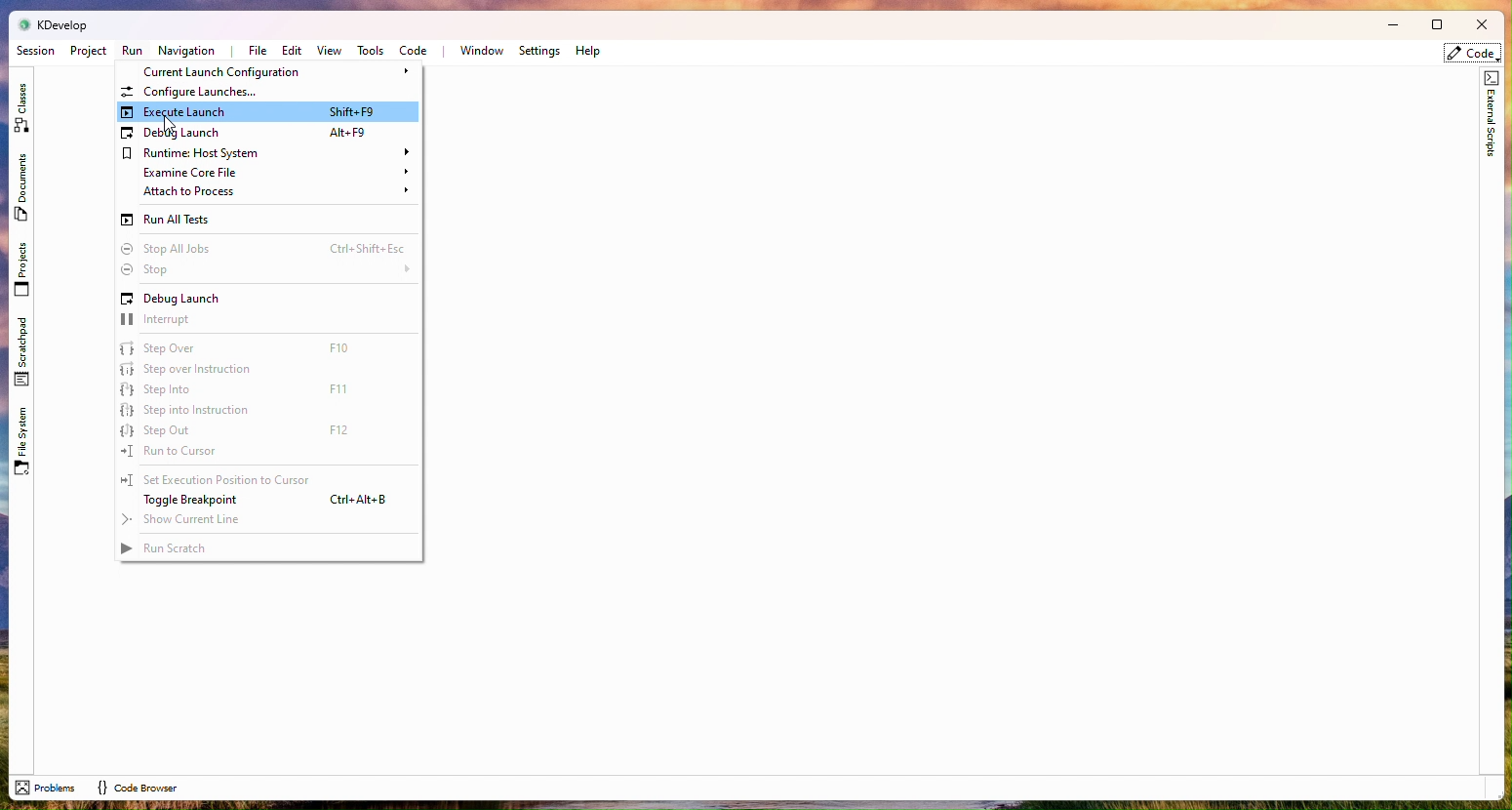  What do you see at coordinates (243, 388) in the screenshot?
I see `Step into` at bounding box center [243, 388].